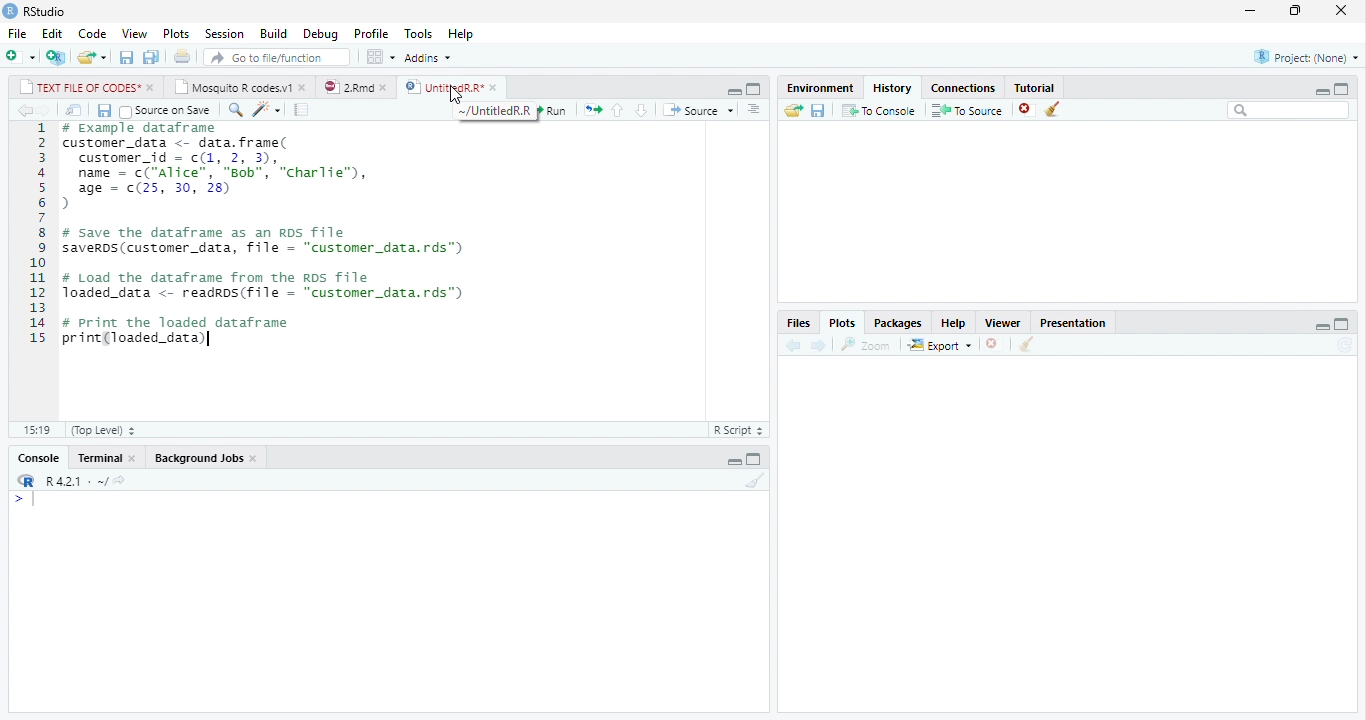 The height and width of the screenshot is (720, 1366). I want to click on Run, so click(554, 110).